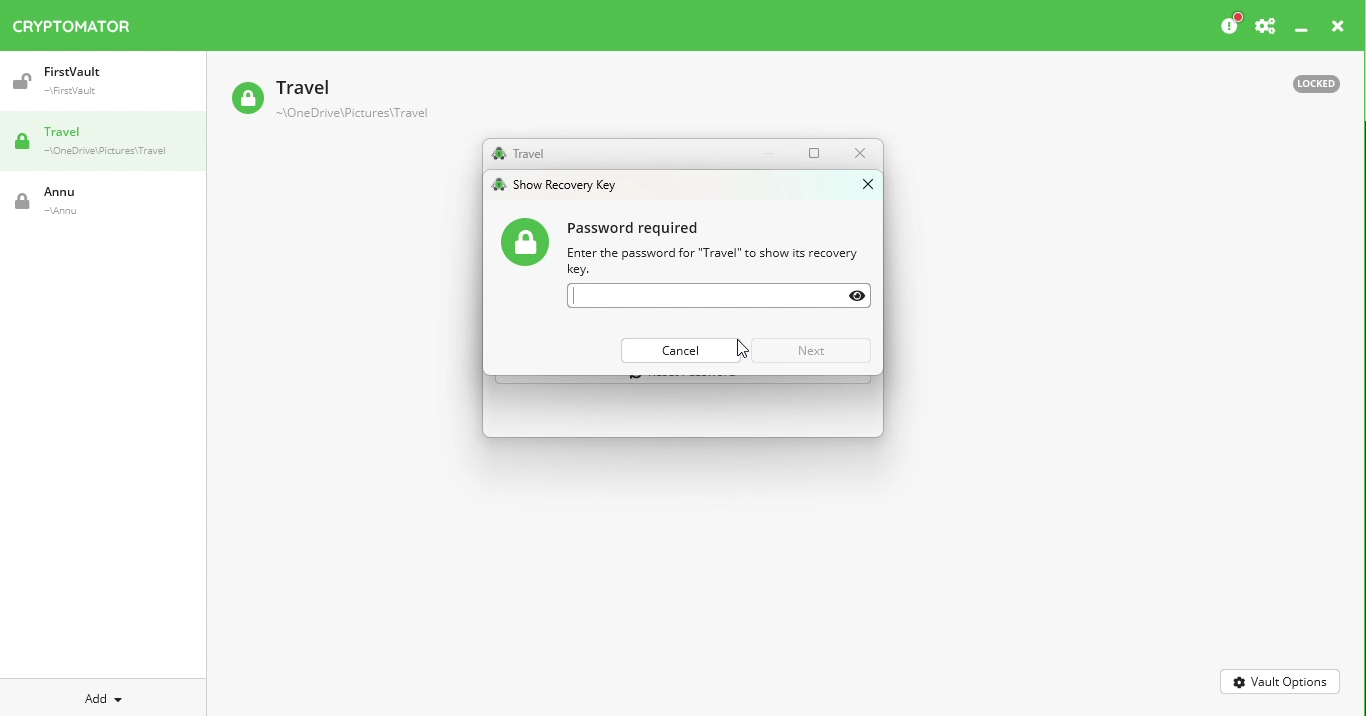 The width and height of the screenshot is (1366, 716). I want to click on Minimize, so click(1302, 31).